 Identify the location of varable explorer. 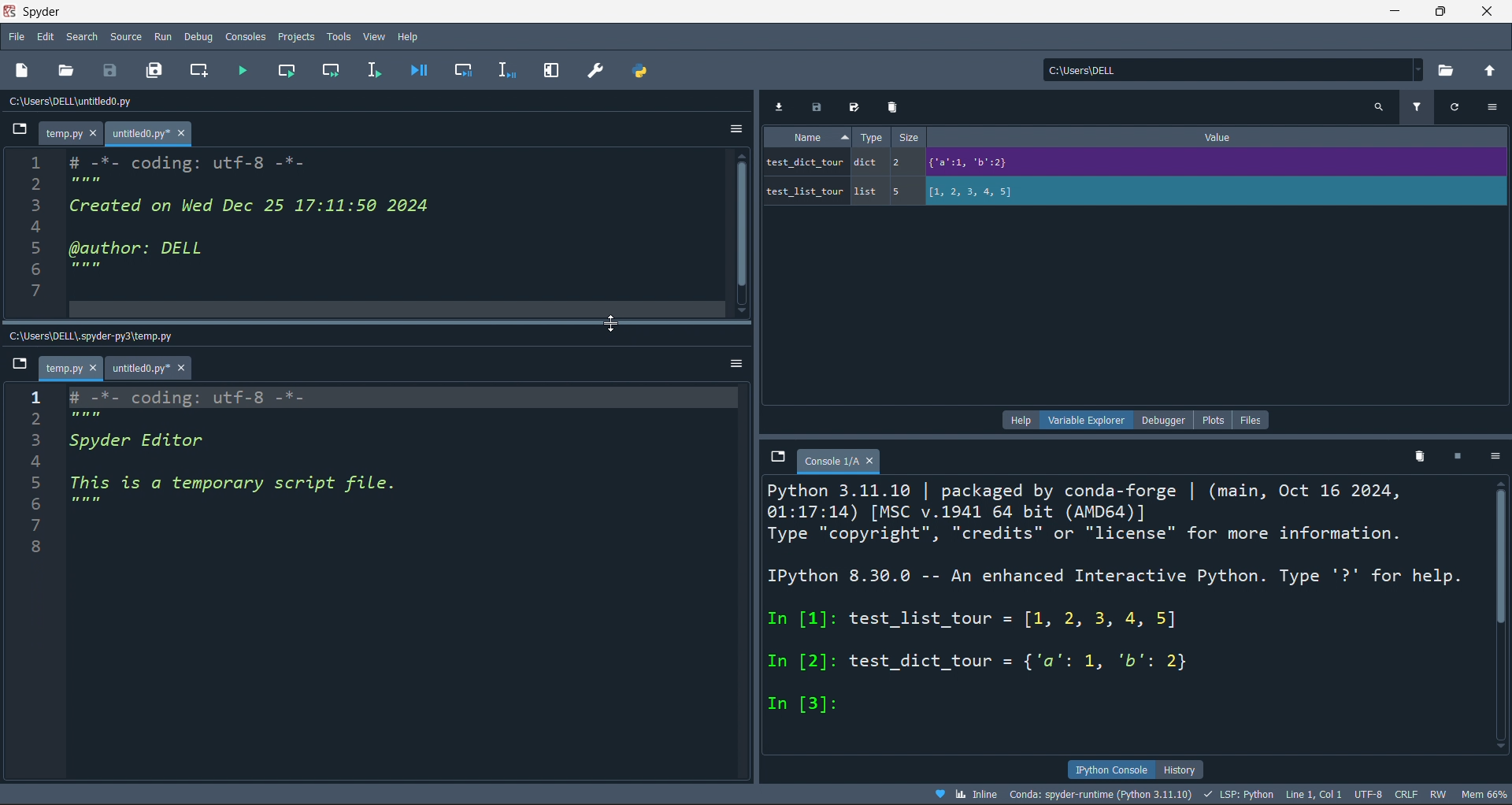
(1084, 421).